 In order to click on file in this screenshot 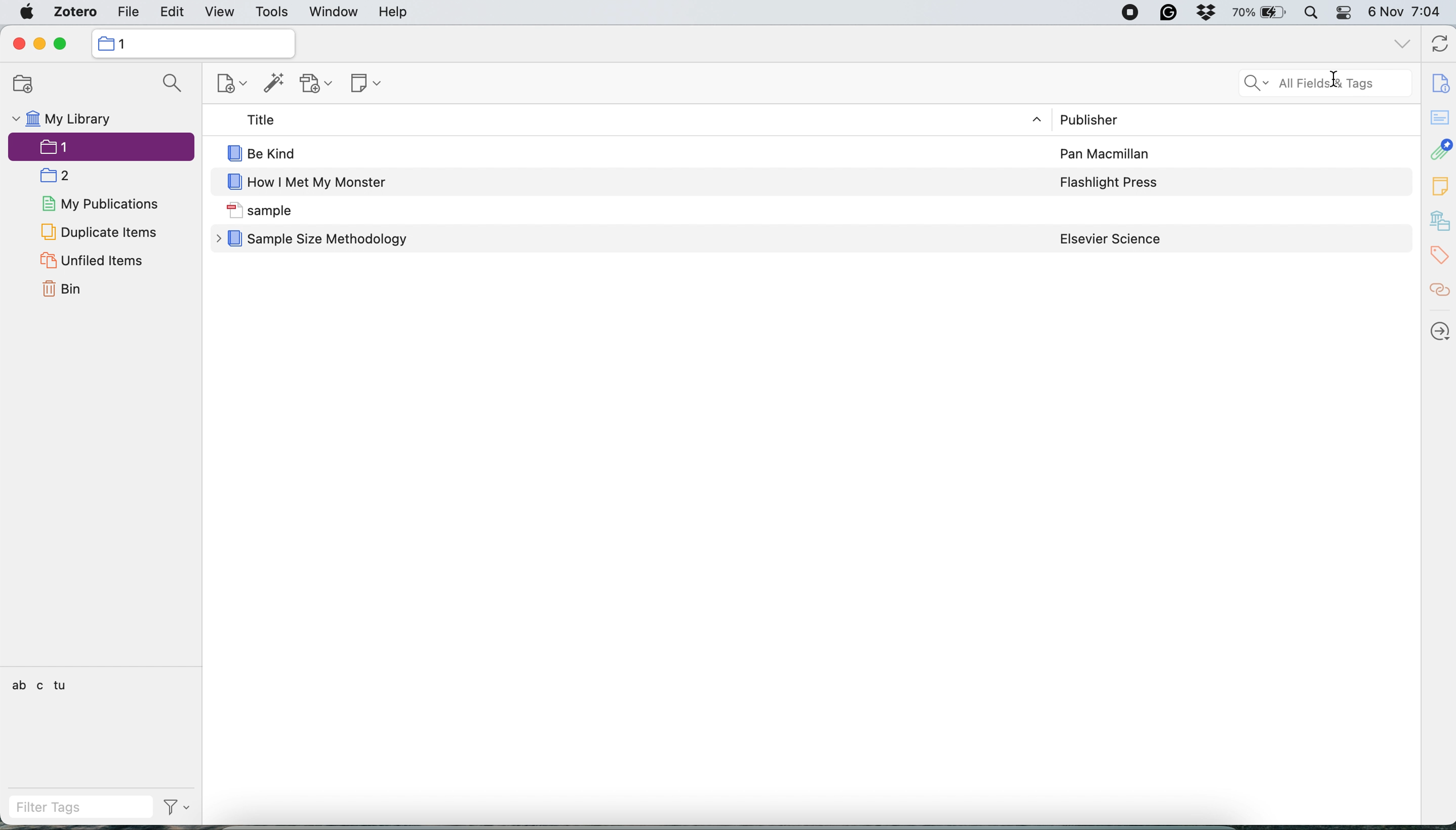, I will do `click(133, 13)`.